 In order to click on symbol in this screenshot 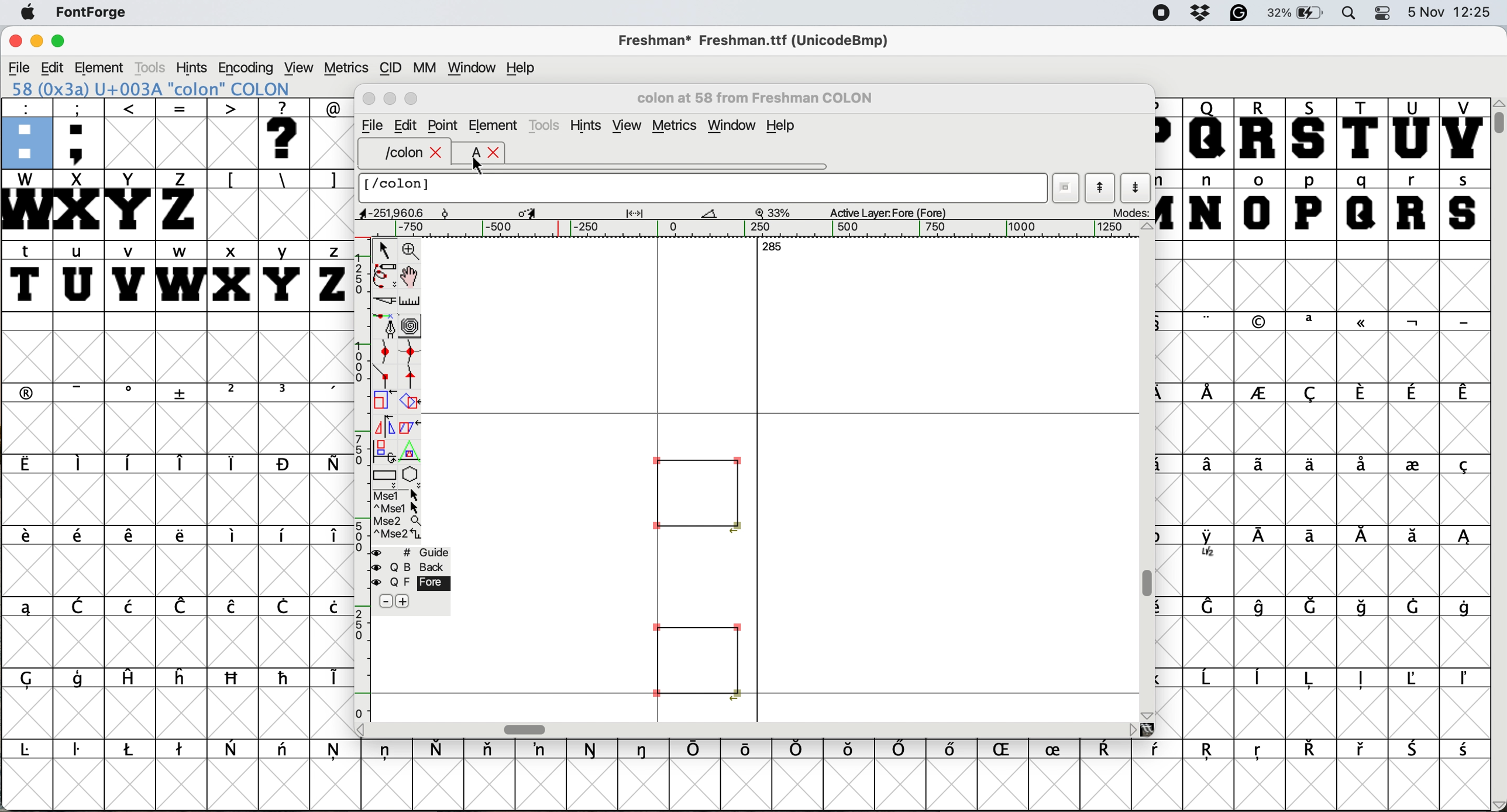, I will do `click(1259, 753)`.